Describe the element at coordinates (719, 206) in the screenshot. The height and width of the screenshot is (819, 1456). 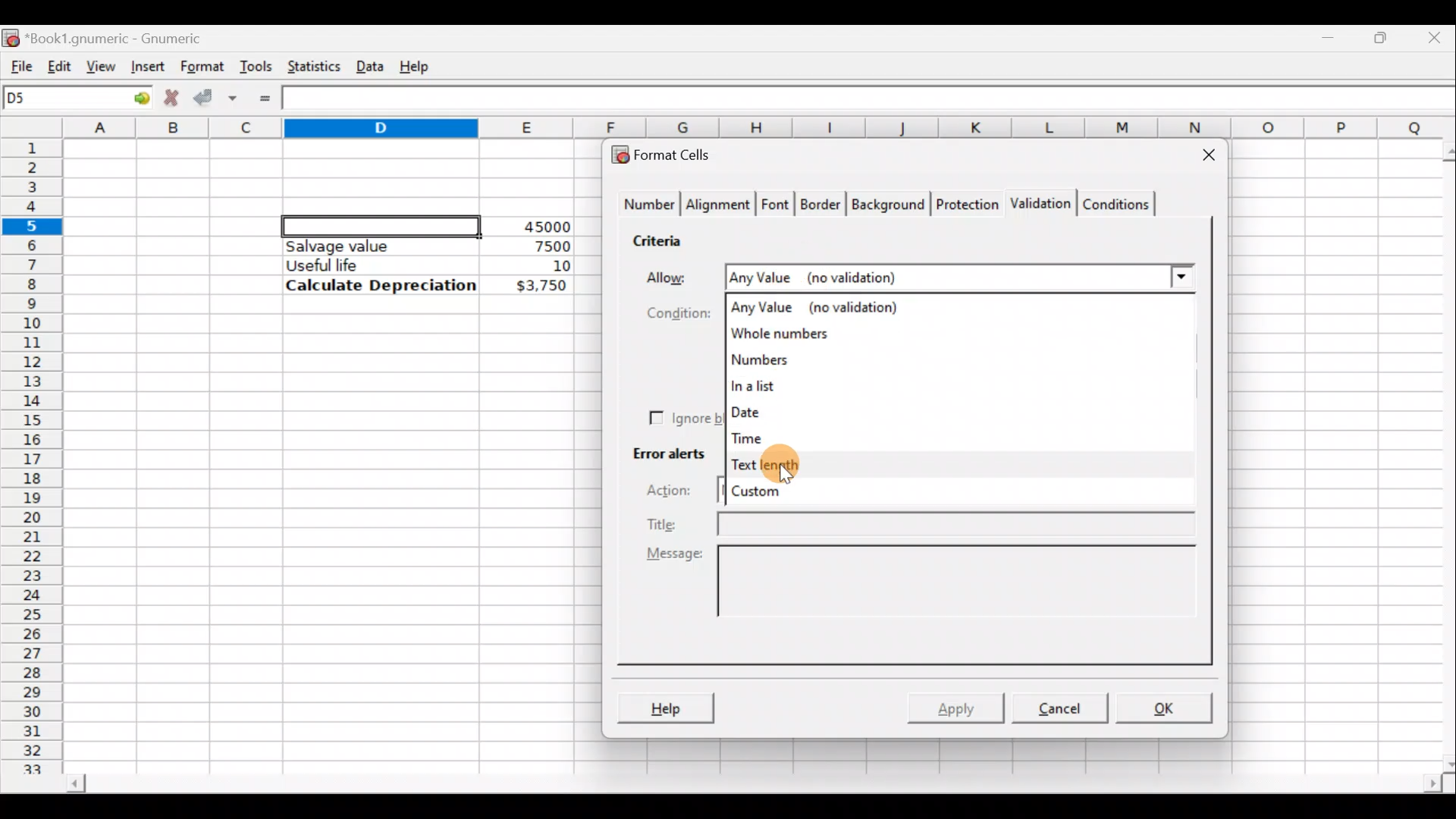
I see `Alignment` at that location.